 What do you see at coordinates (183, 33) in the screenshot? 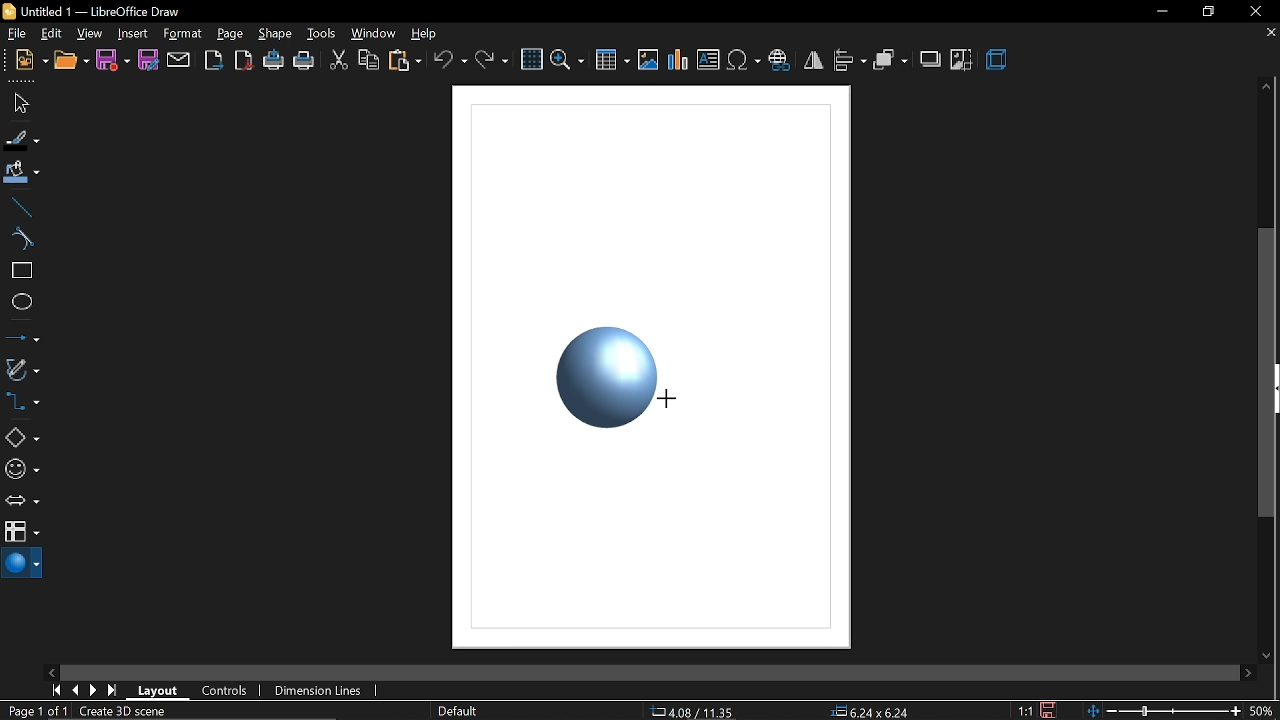
I see `format` at bounding box center [183, 33].